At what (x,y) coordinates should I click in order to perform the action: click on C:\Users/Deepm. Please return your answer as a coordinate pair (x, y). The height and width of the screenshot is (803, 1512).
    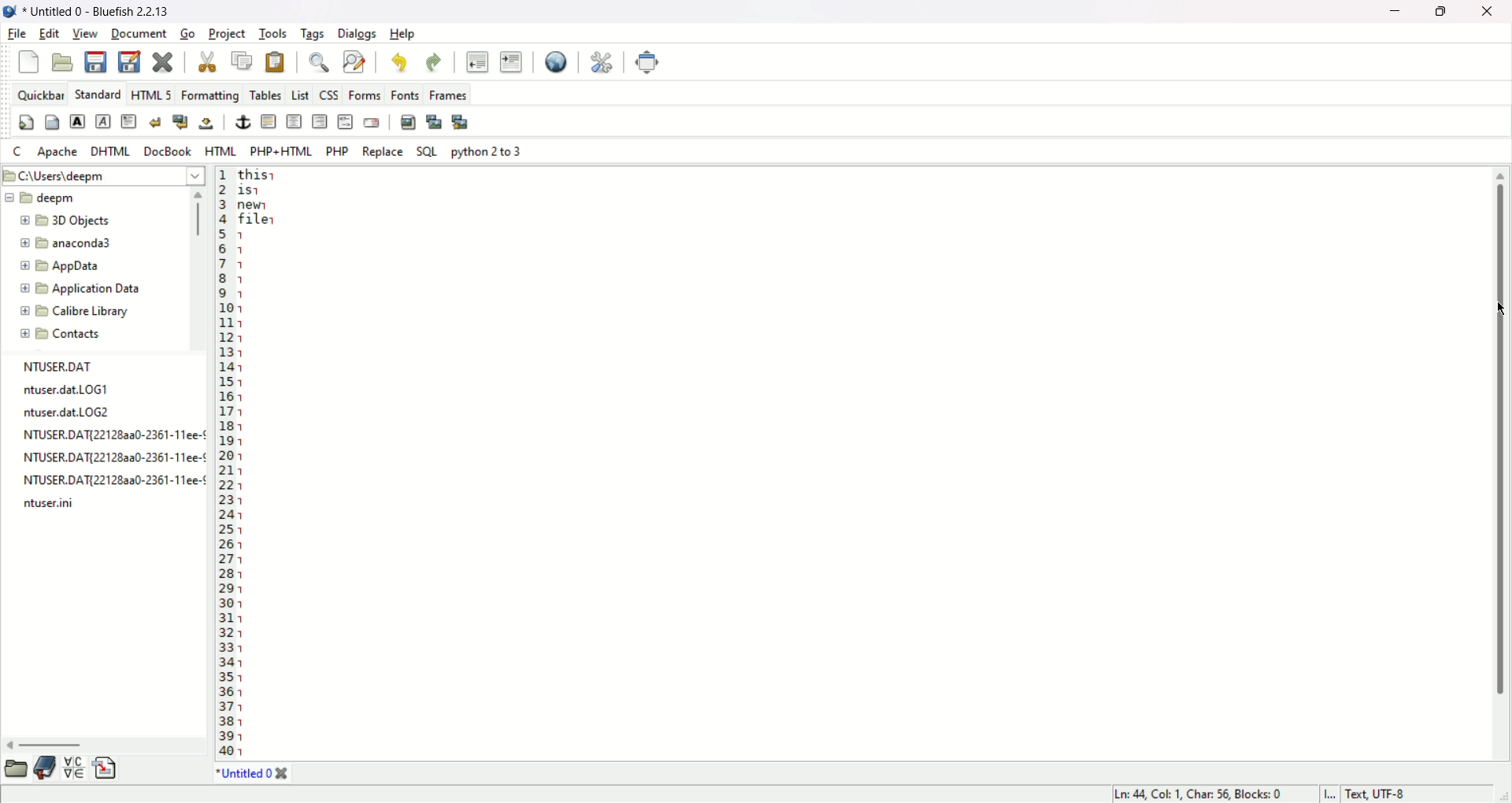
    Looking at the image, I should click on (101, 174).